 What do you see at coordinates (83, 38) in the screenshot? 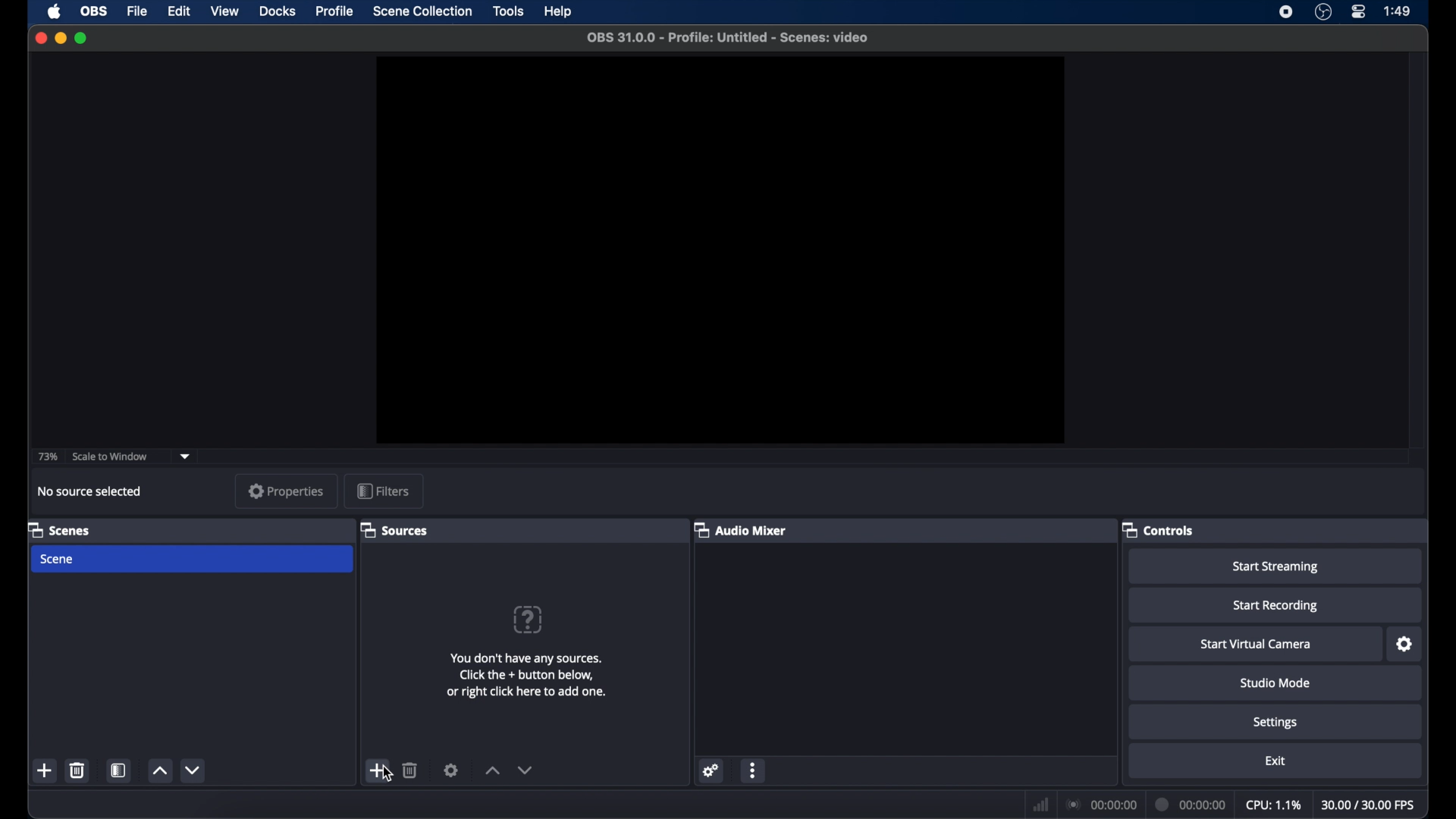
I see `maximize` at bounding box center [83, 38].